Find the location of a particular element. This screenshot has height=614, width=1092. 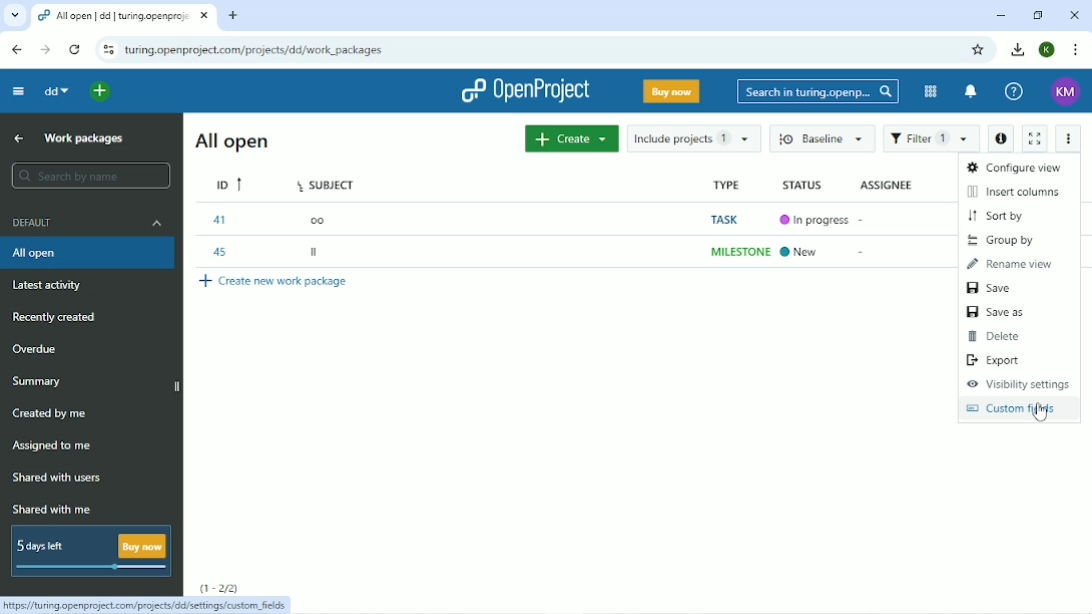

Configure view is located at coordinates (1014, 167).